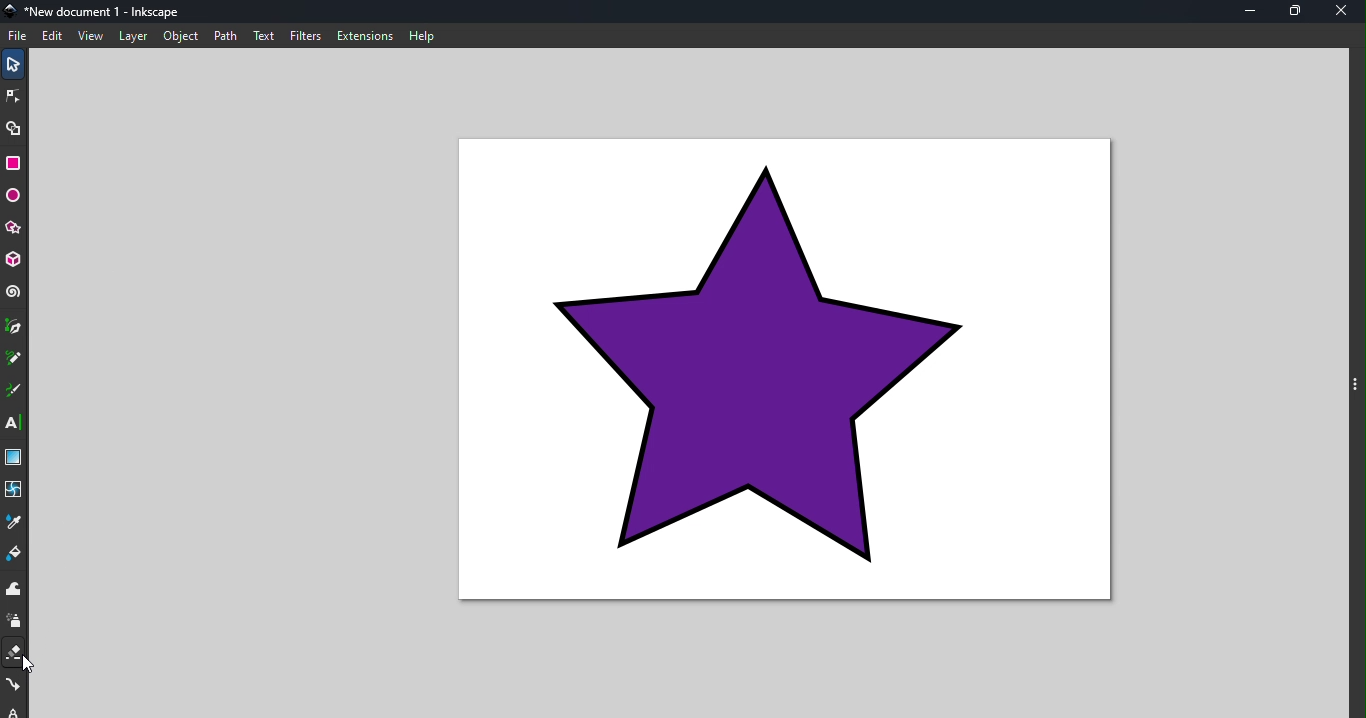  I want to click on object, so click(181, 35).